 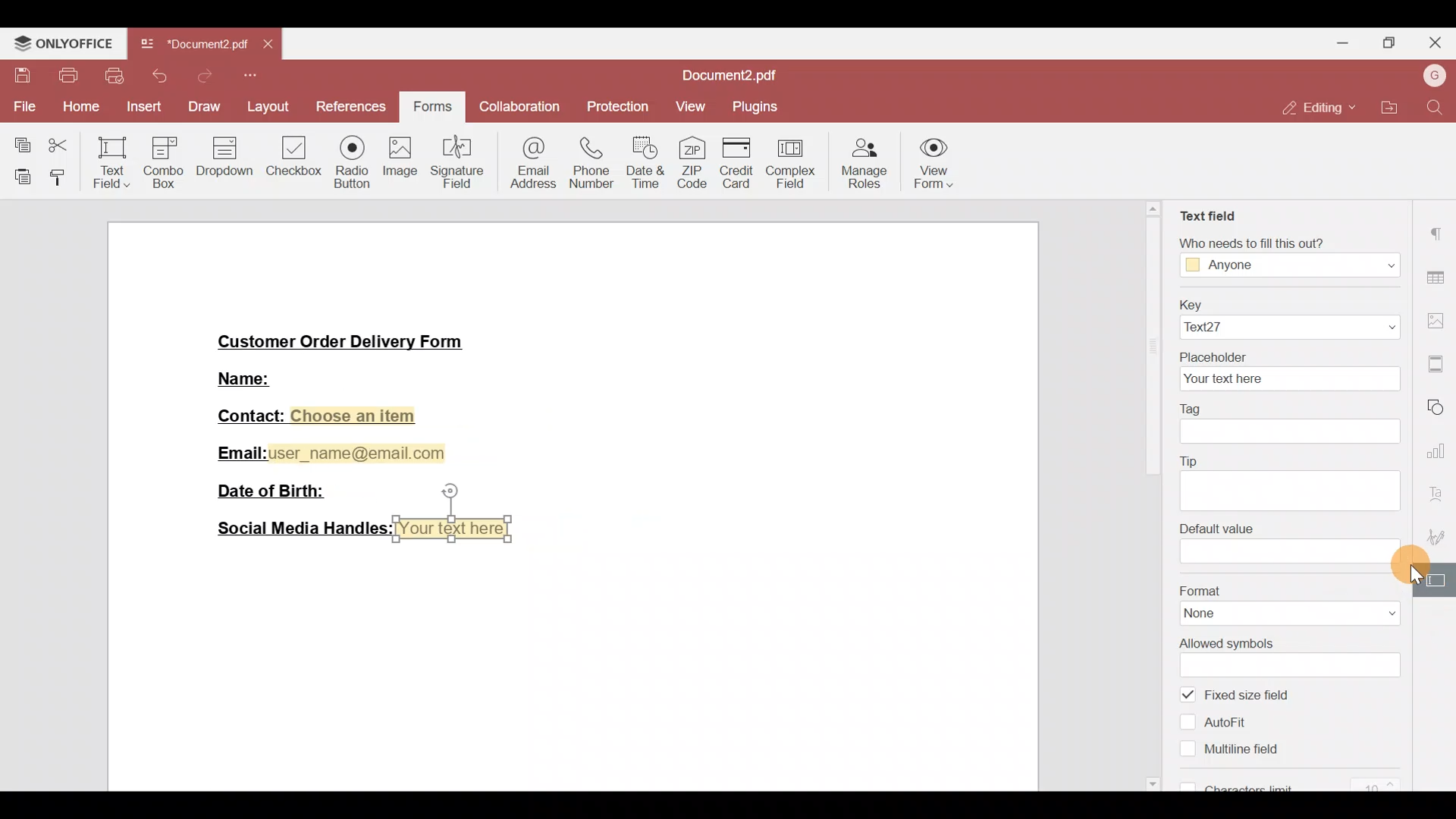 I want to click on Placeholder, so click(x=1288, y=371).